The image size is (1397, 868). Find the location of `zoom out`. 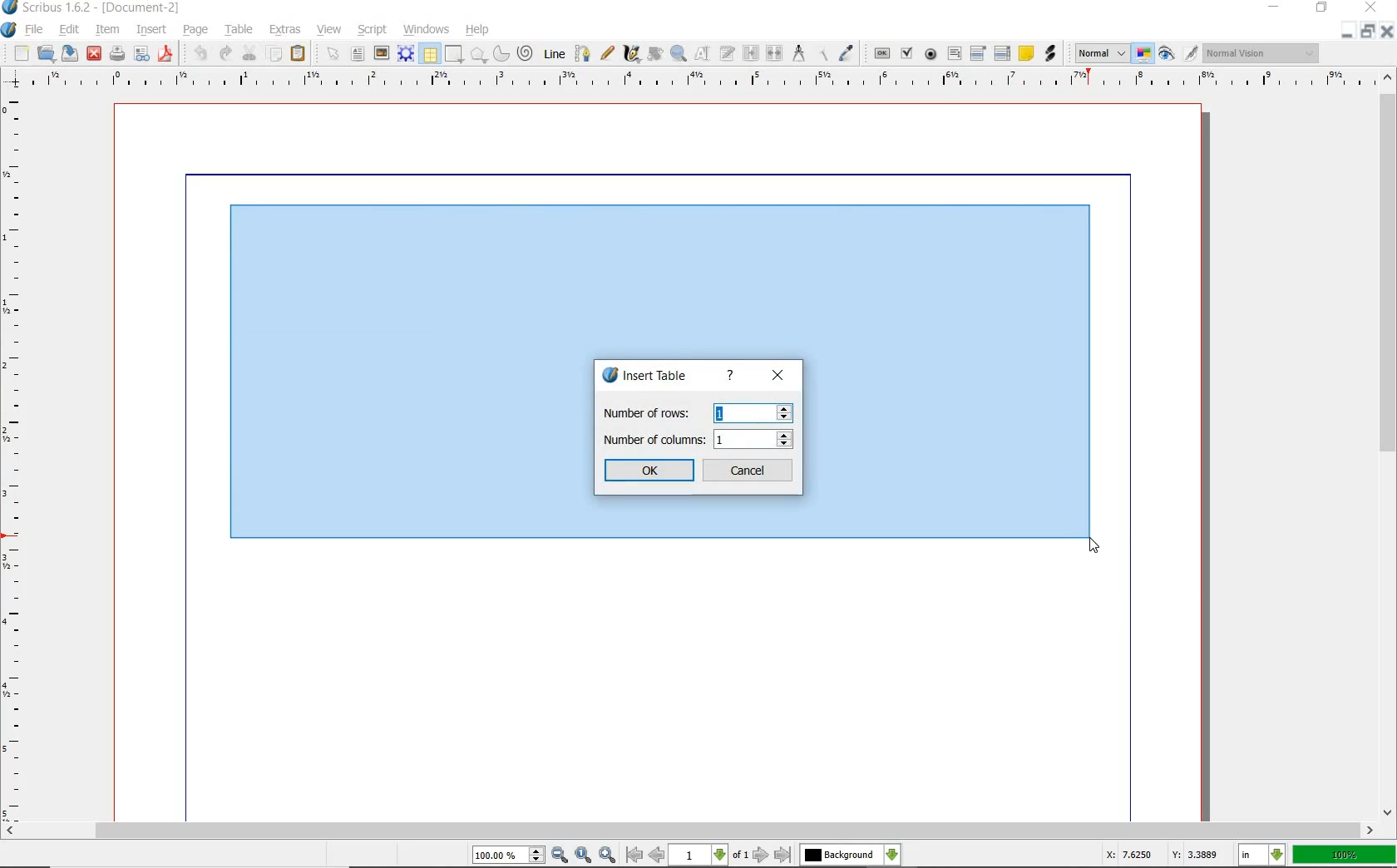

zoom out is located at coordinates (560, 856).